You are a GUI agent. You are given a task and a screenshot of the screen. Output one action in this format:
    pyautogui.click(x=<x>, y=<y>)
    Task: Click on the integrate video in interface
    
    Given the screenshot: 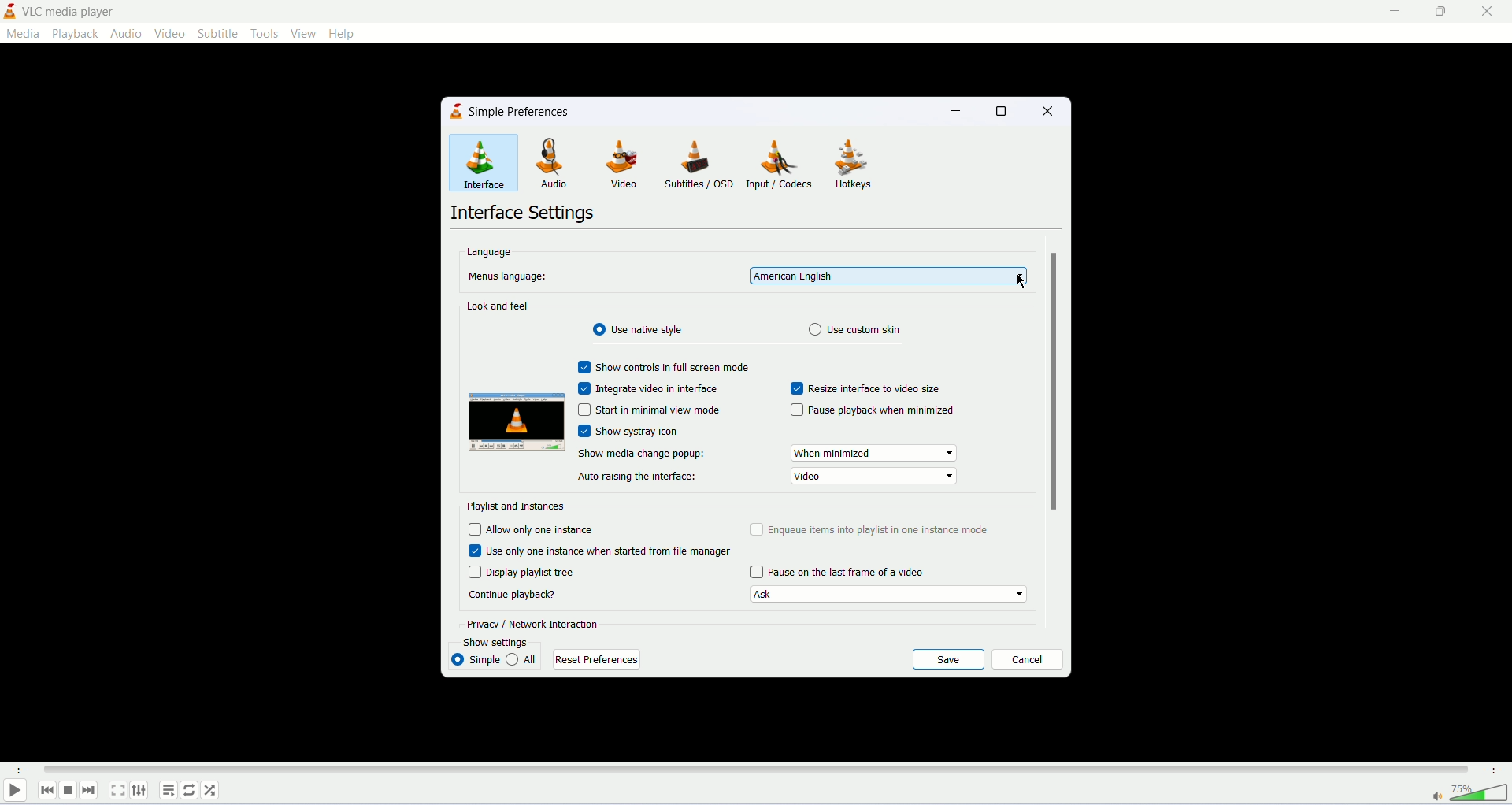 What is the action you would take?
    pyautogui.click(x=647, y=388)
    